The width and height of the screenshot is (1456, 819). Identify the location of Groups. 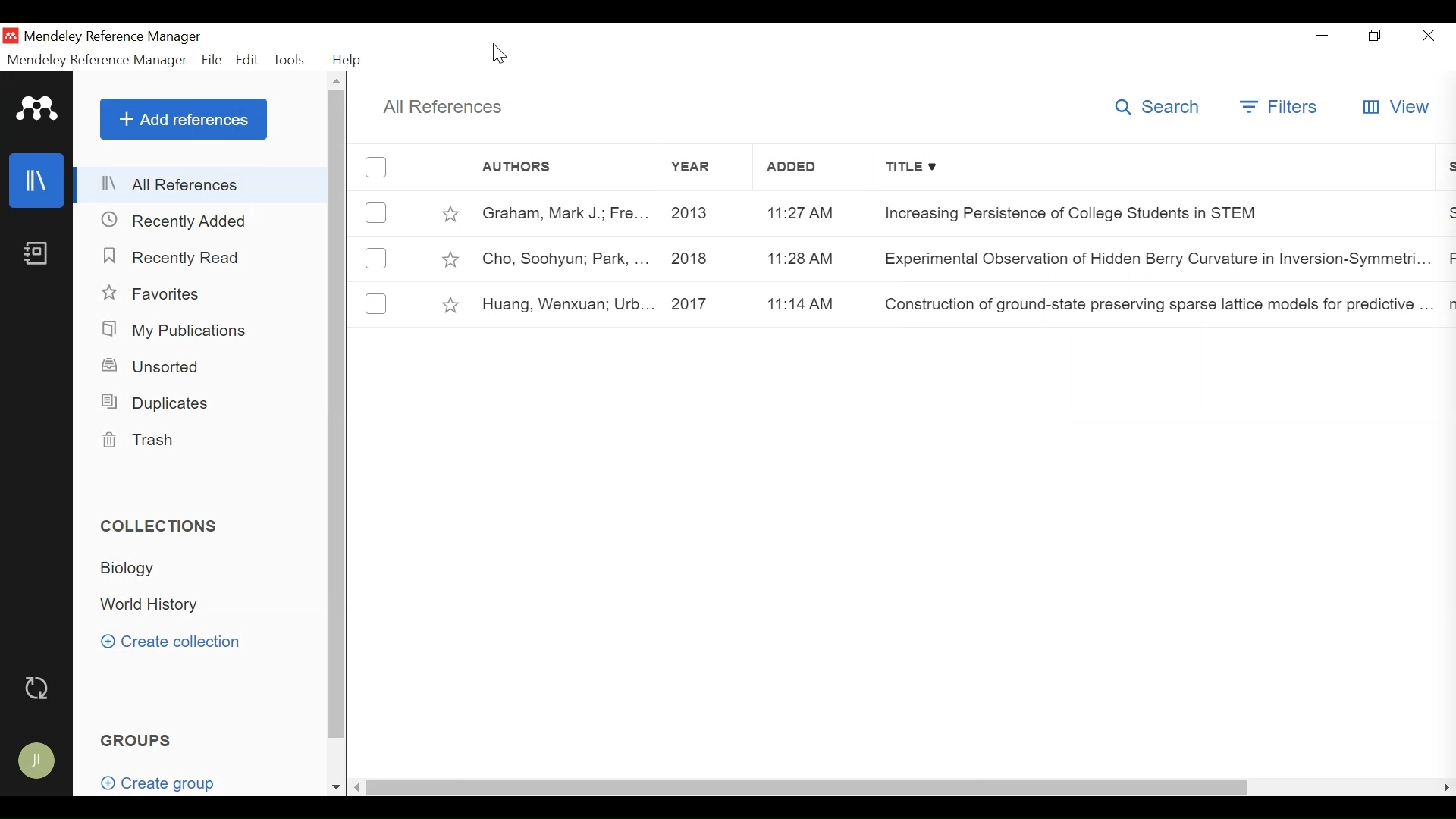
(136, 740).